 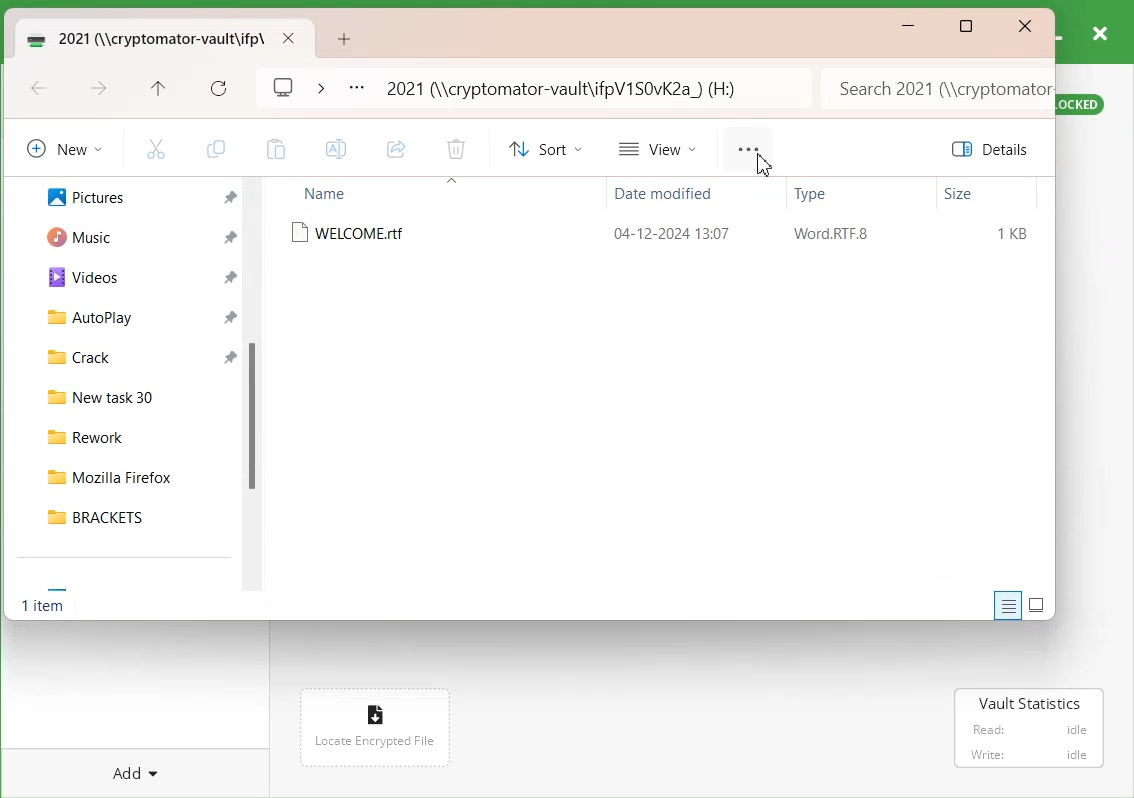 What do you see at coordinates (230, 237) in the screenshot?
I see `` at bounding box center [230, 237].